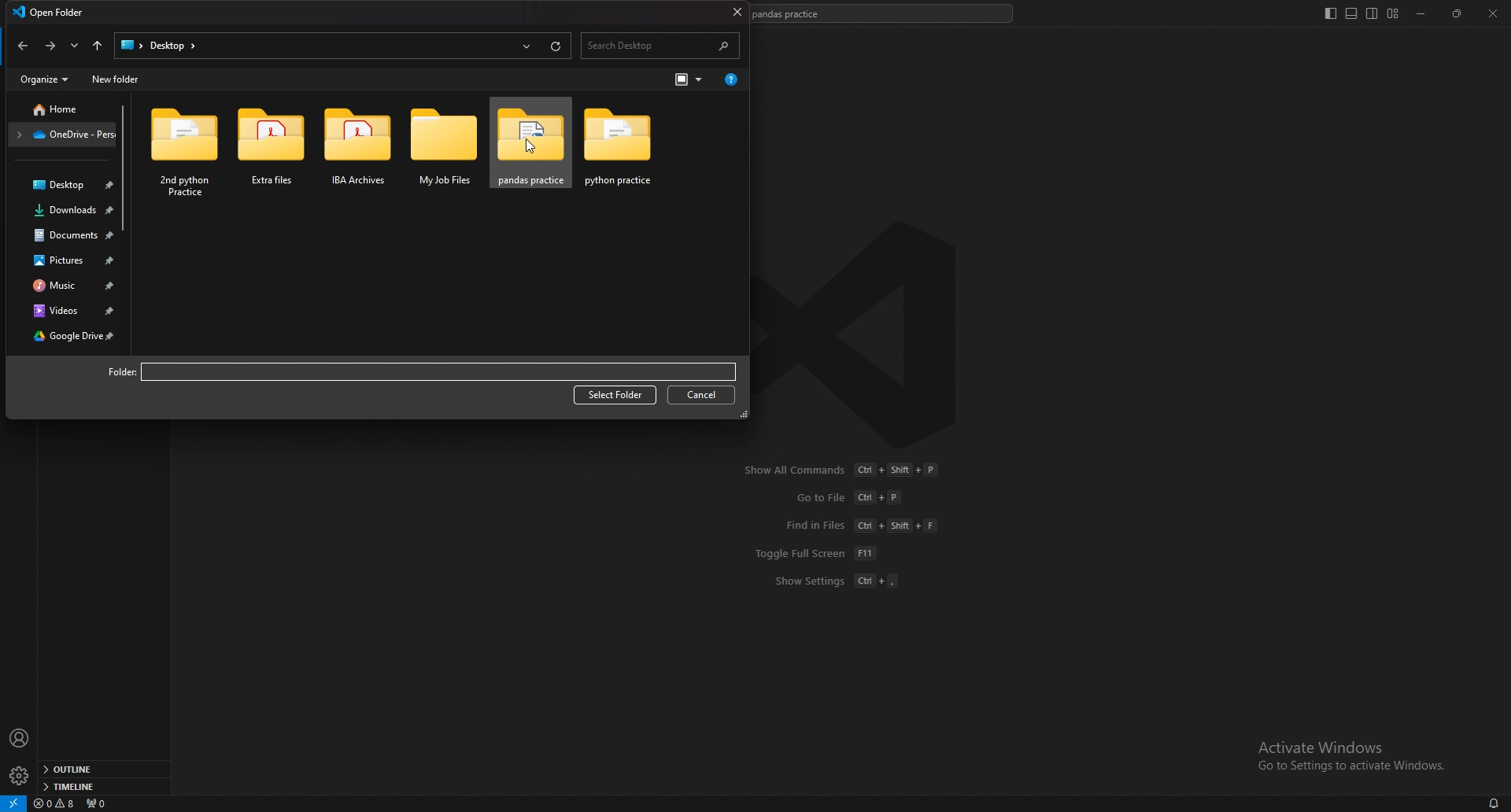 Image resolution: width=1511 pixels, height=812 pixels. Describe the element at coordinates (526, 44) in the screenshot. I see `recent` at that location.